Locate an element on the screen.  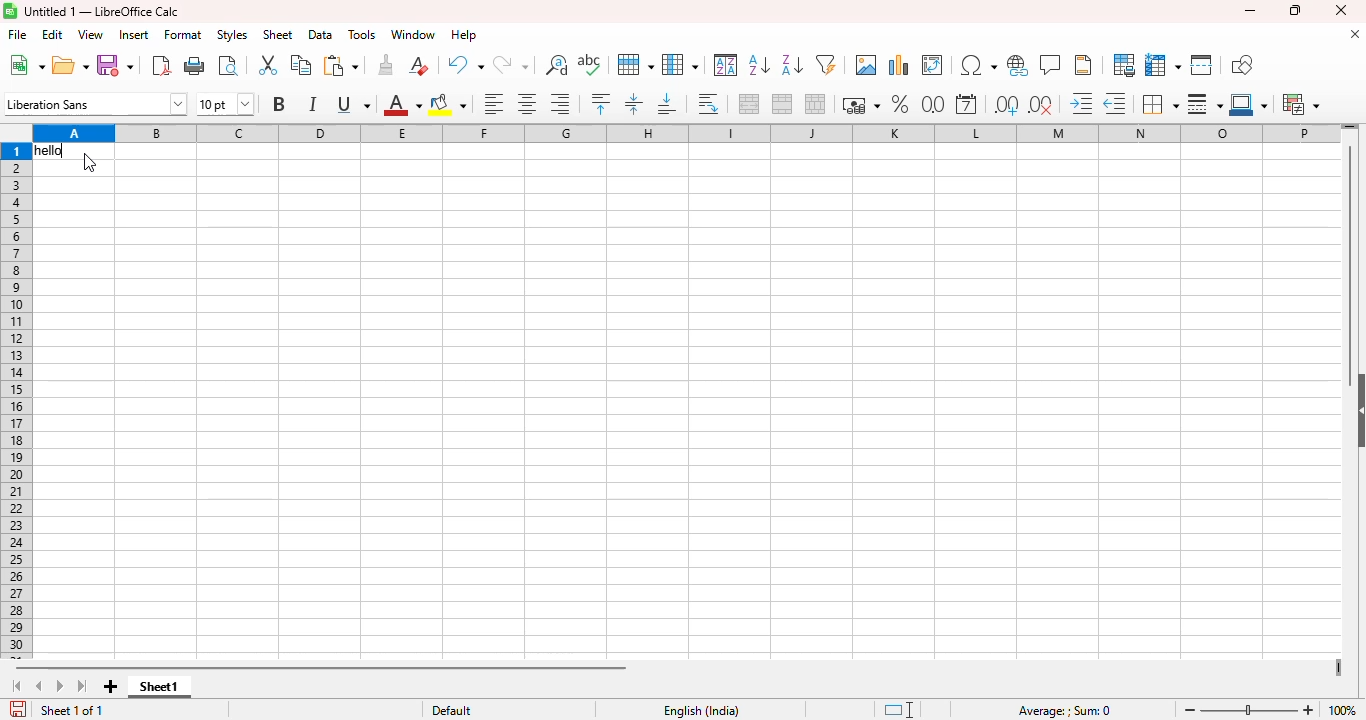
horizontal scroll bar is located at coordinates (321, 668).